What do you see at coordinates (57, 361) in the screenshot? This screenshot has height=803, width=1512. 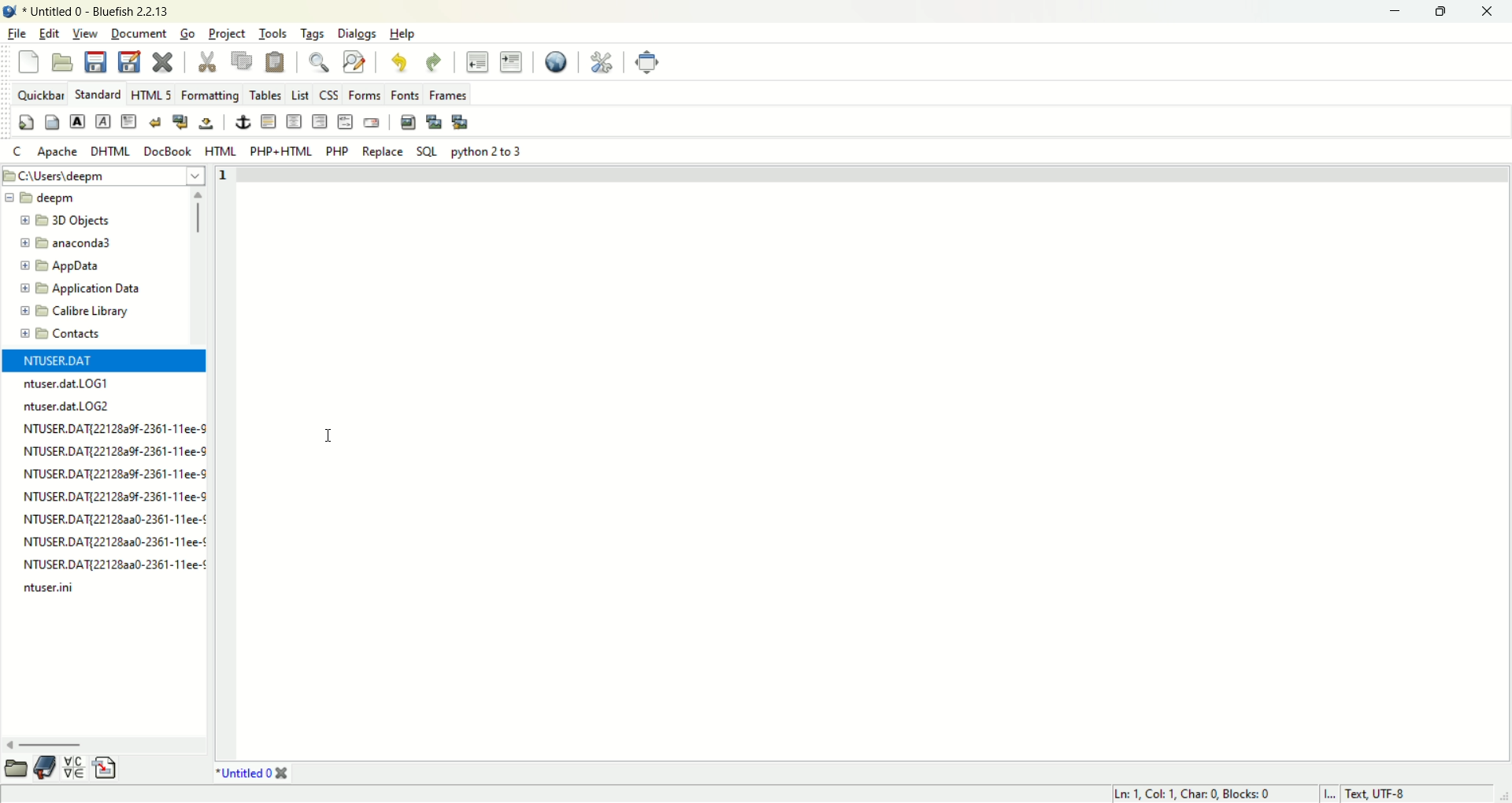 I see `NTUSER.DAT` at bounding box center [57, 361].